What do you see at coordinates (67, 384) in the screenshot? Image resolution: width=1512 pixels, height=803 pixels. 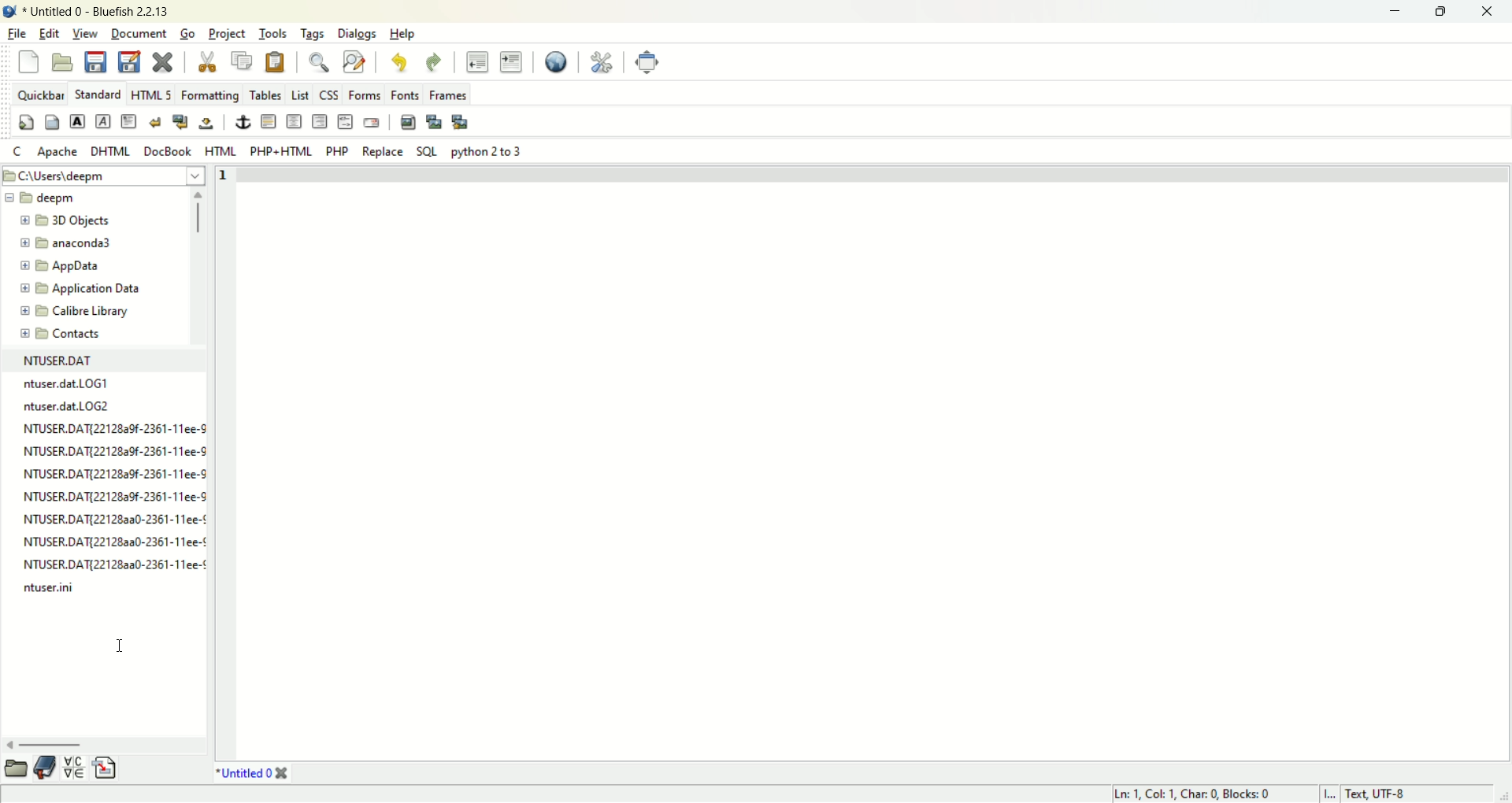 I see `ntuser.dat.LOG1` at bounding box center [67, 384].